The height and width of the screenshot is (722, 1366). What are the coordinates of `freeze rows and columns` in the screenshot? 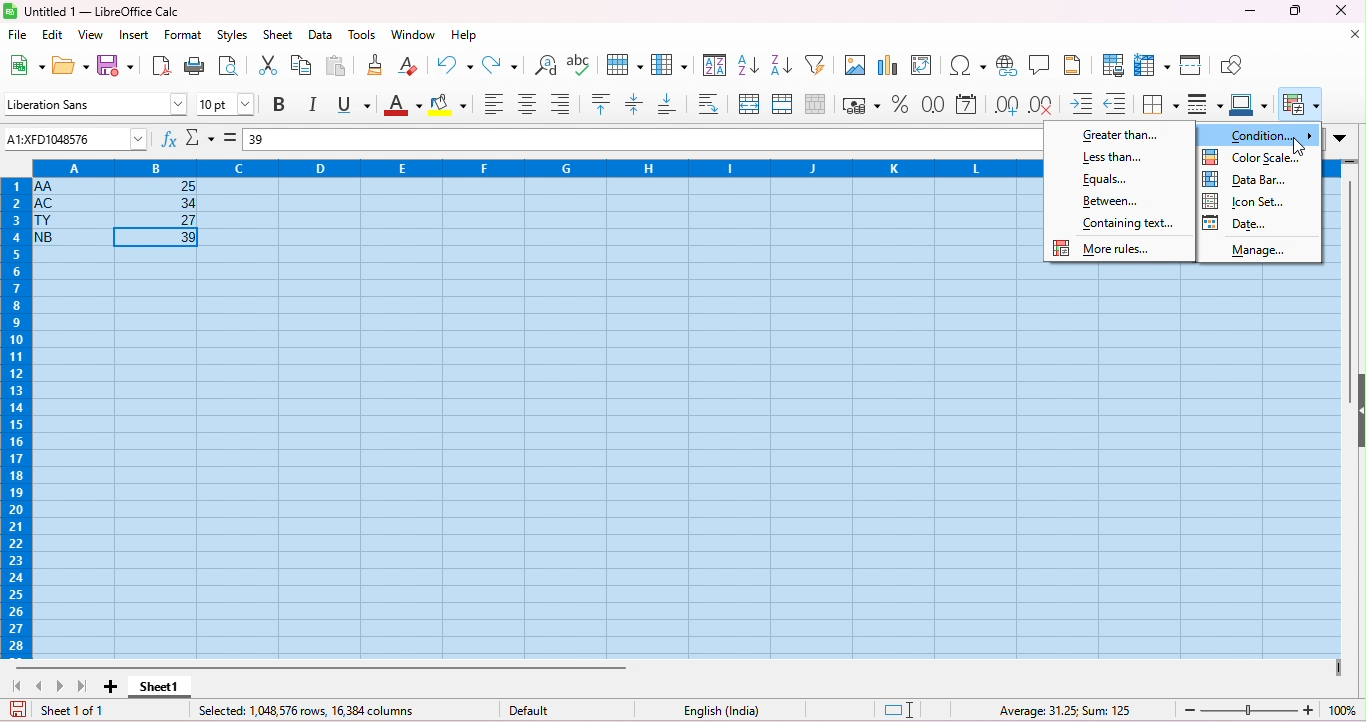 It's located at (1153, 64).